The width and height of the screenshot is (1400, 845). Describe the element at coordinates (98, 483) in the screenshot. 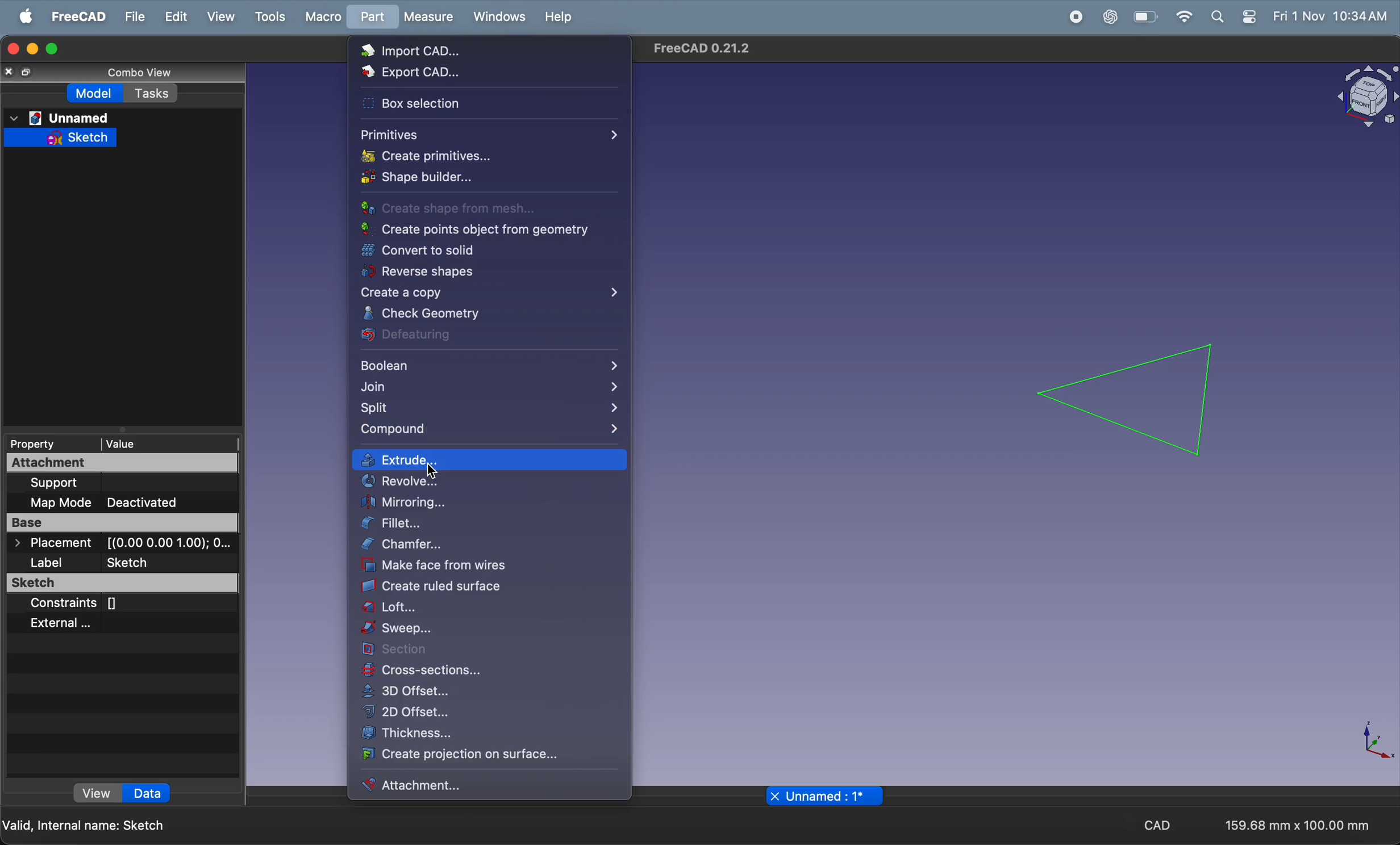

I see `support` at that location.